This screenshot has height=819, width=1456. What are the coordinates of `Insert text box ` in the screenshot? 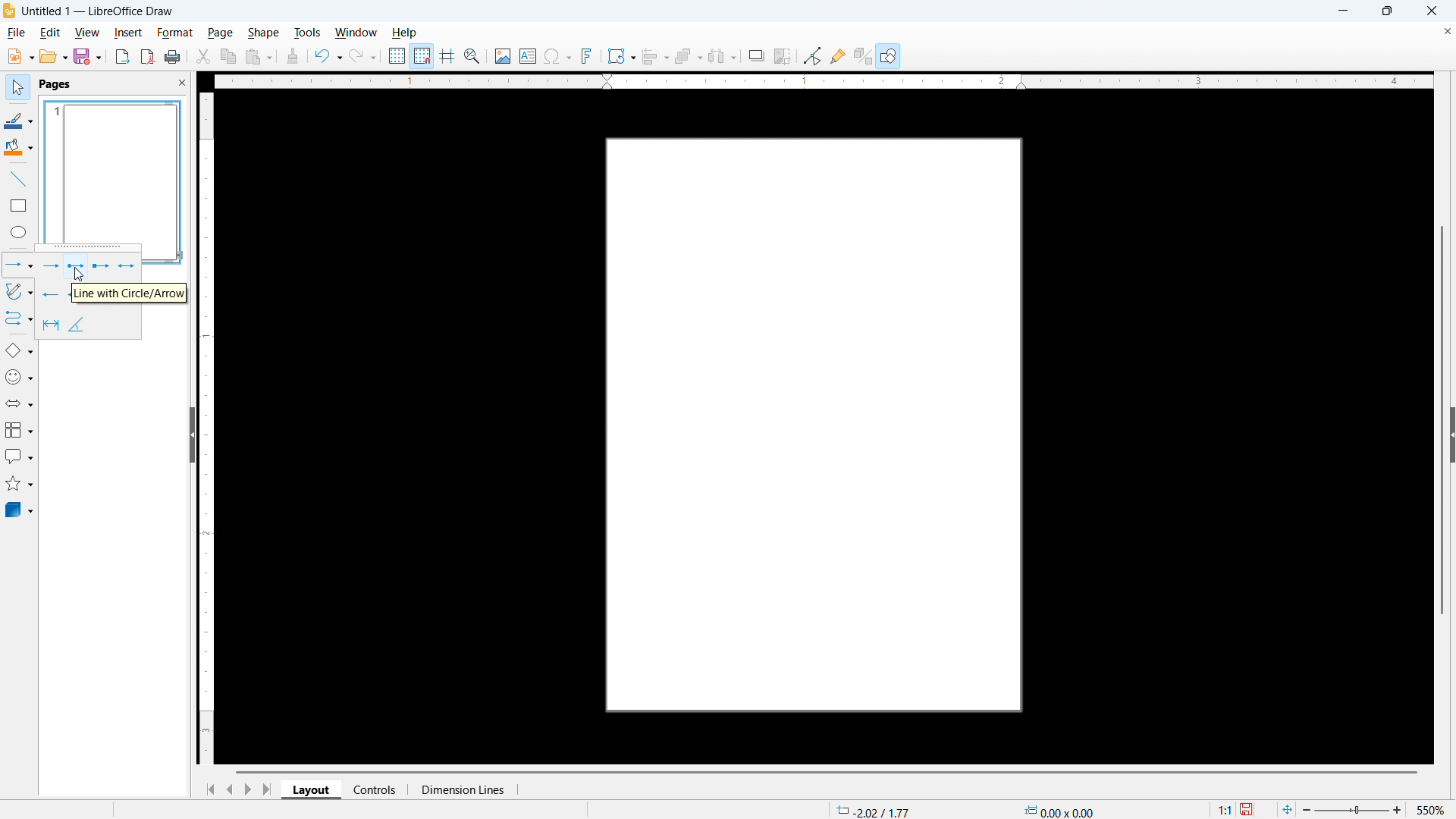 It's located at (529, 55).